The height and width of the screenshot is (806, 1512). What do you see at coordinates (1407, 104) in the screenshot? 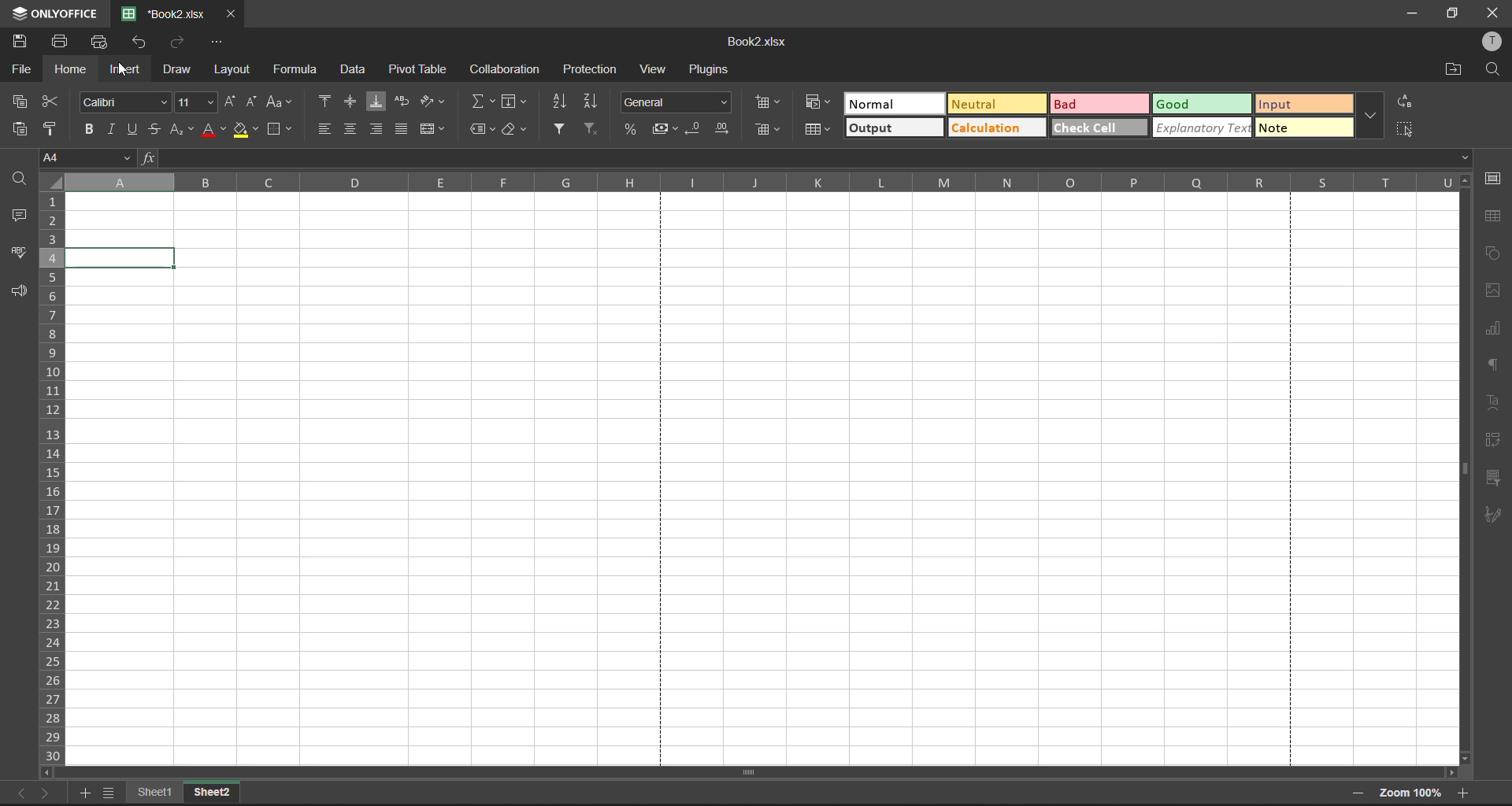
I see `replace` at bounding box center [1407, 104].